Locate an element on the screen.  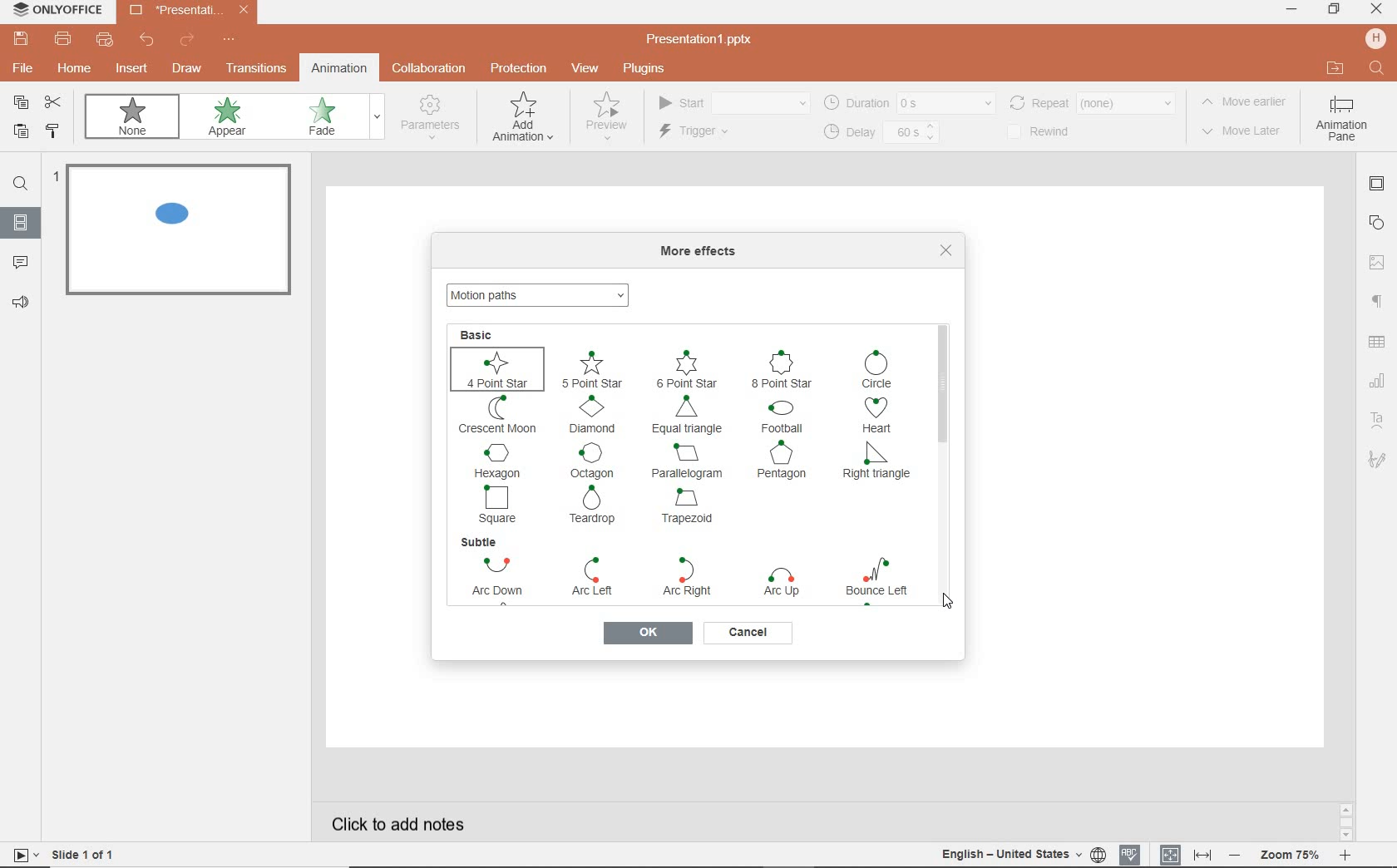
5 POINT STAR is located at coordinates (593, 369).